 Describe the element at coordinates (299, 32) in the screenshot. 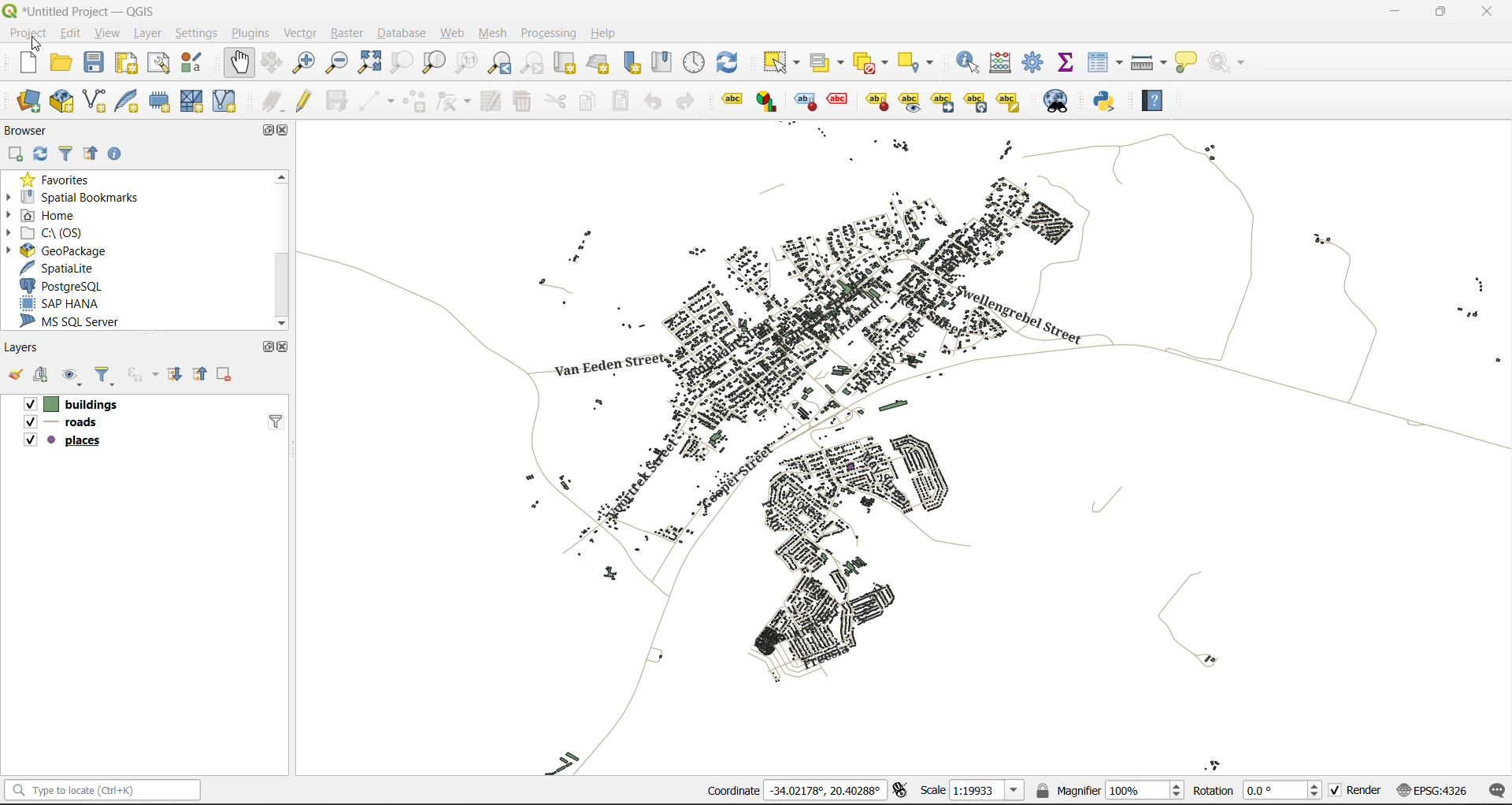

I see `vector` at that location.